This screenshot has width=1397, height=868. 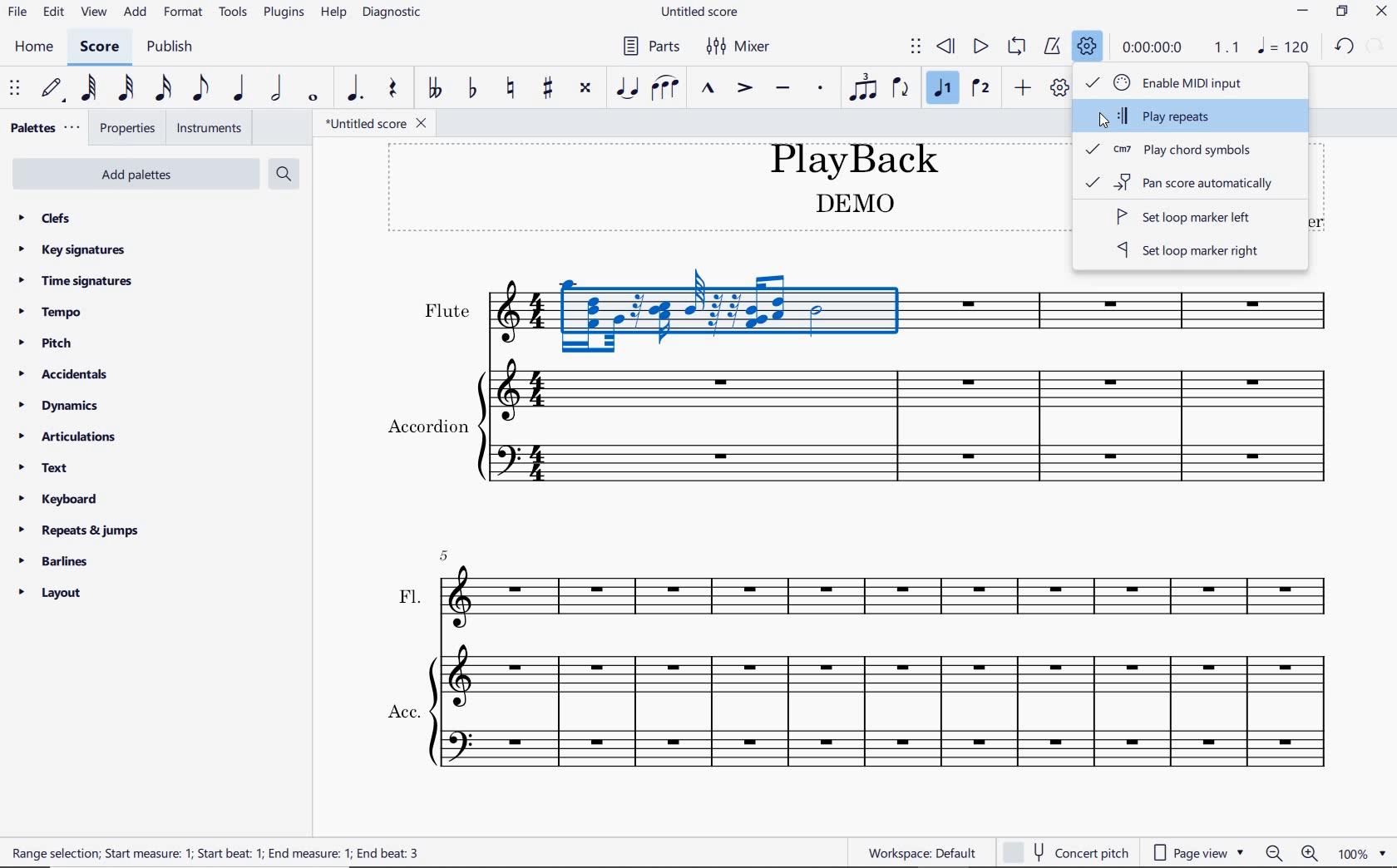 What do you see at coordinates (1090, 47) in the screenshot?
I see `playback settings` at bounding box center [1090, 47].